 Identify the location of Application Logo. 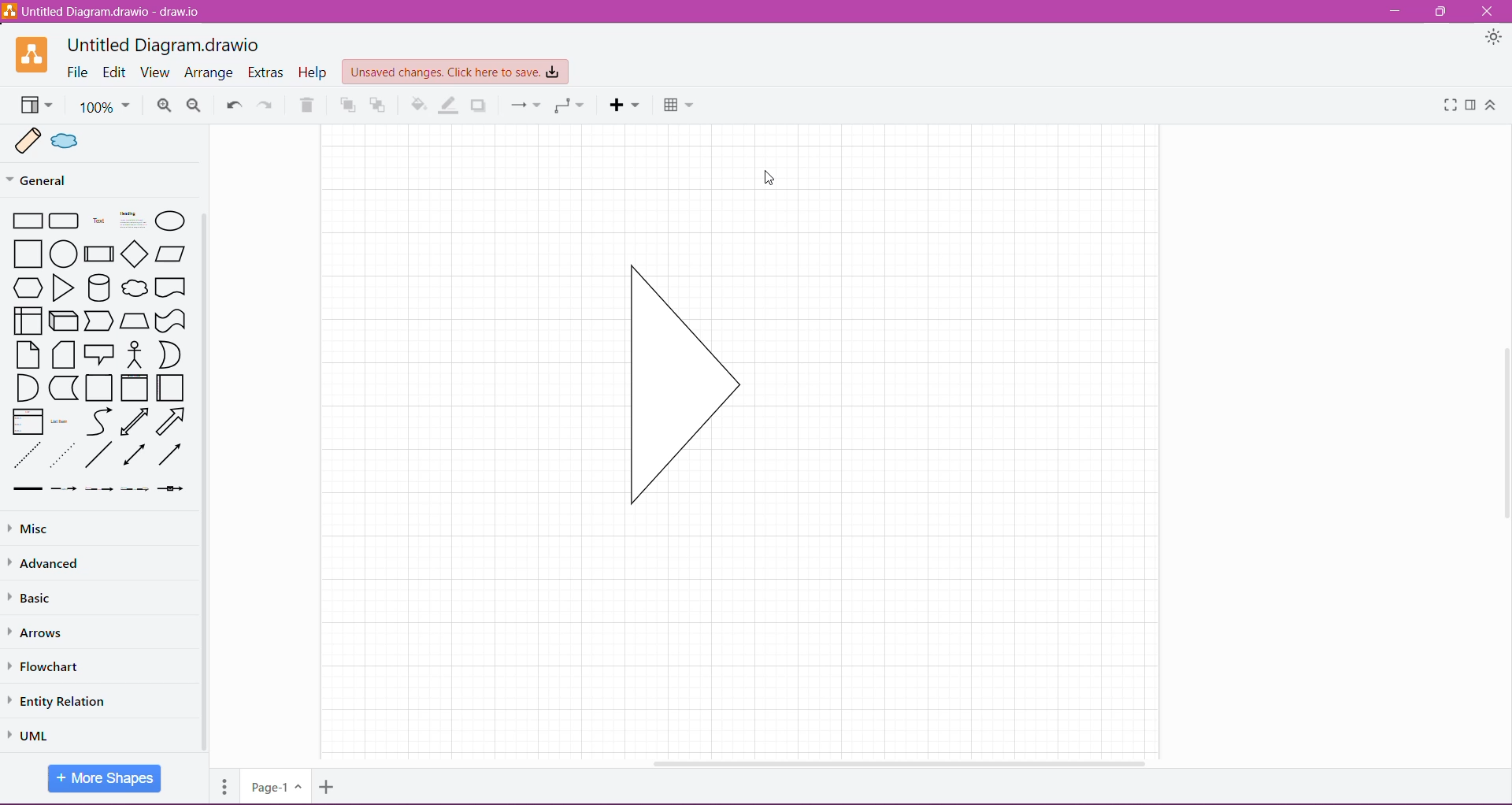
(34, 55).